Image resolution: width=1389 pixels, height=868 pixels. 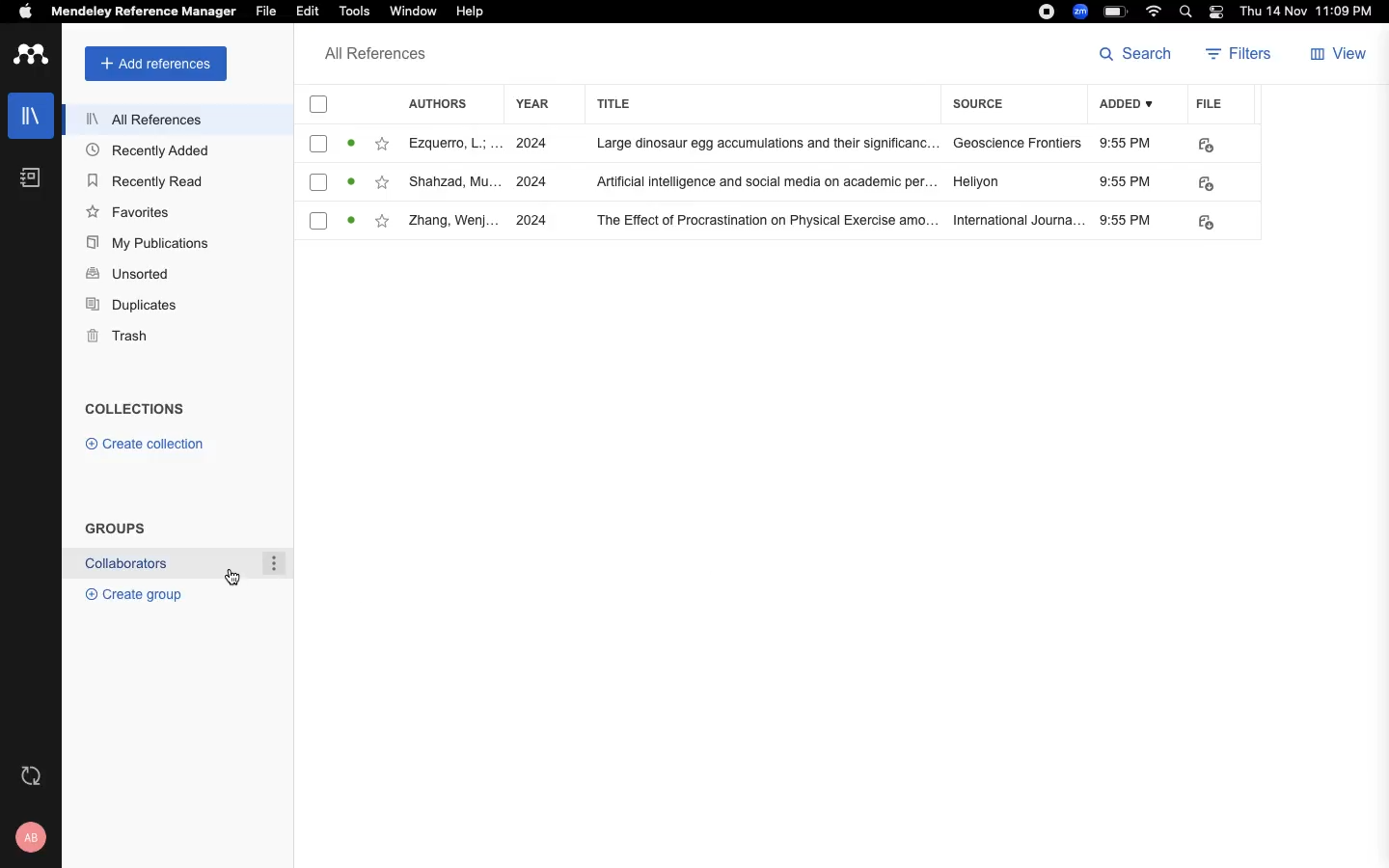 What do you see at coordinates (130, 275) in the screenshot?
I see `Unsorted` at bounding box center [130, 275].